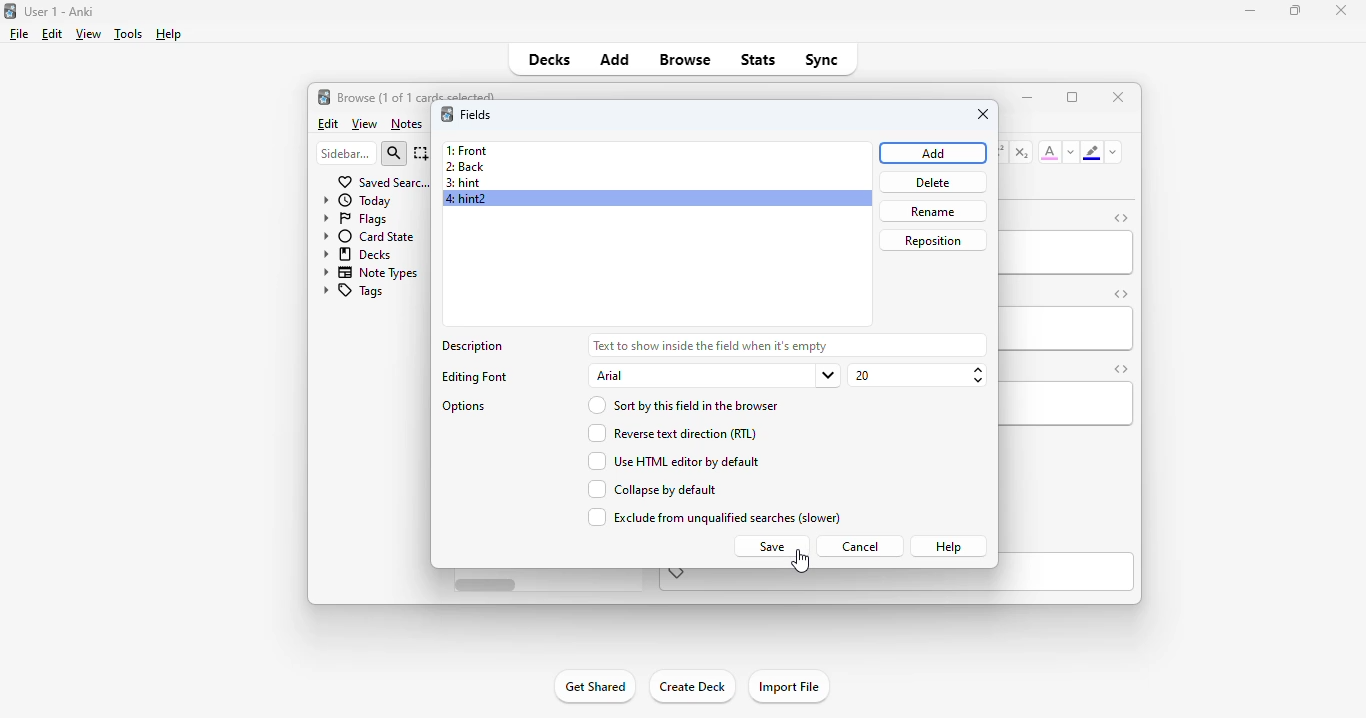 The image size is (1366, 718). What do you see at coordinates (384, 181) in the screenshot?
I see `saved searches` at bounding box center [384, 181].